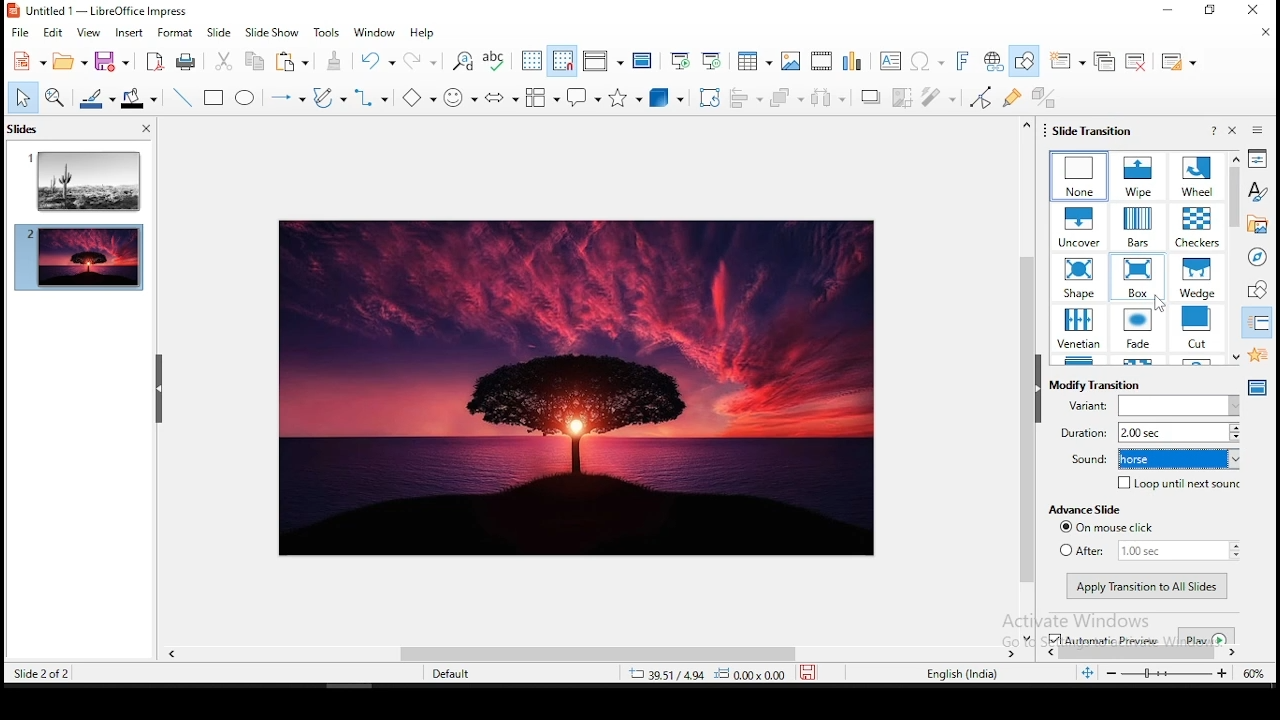  I want to click on apply transition to all slides, so click(1148, 587).